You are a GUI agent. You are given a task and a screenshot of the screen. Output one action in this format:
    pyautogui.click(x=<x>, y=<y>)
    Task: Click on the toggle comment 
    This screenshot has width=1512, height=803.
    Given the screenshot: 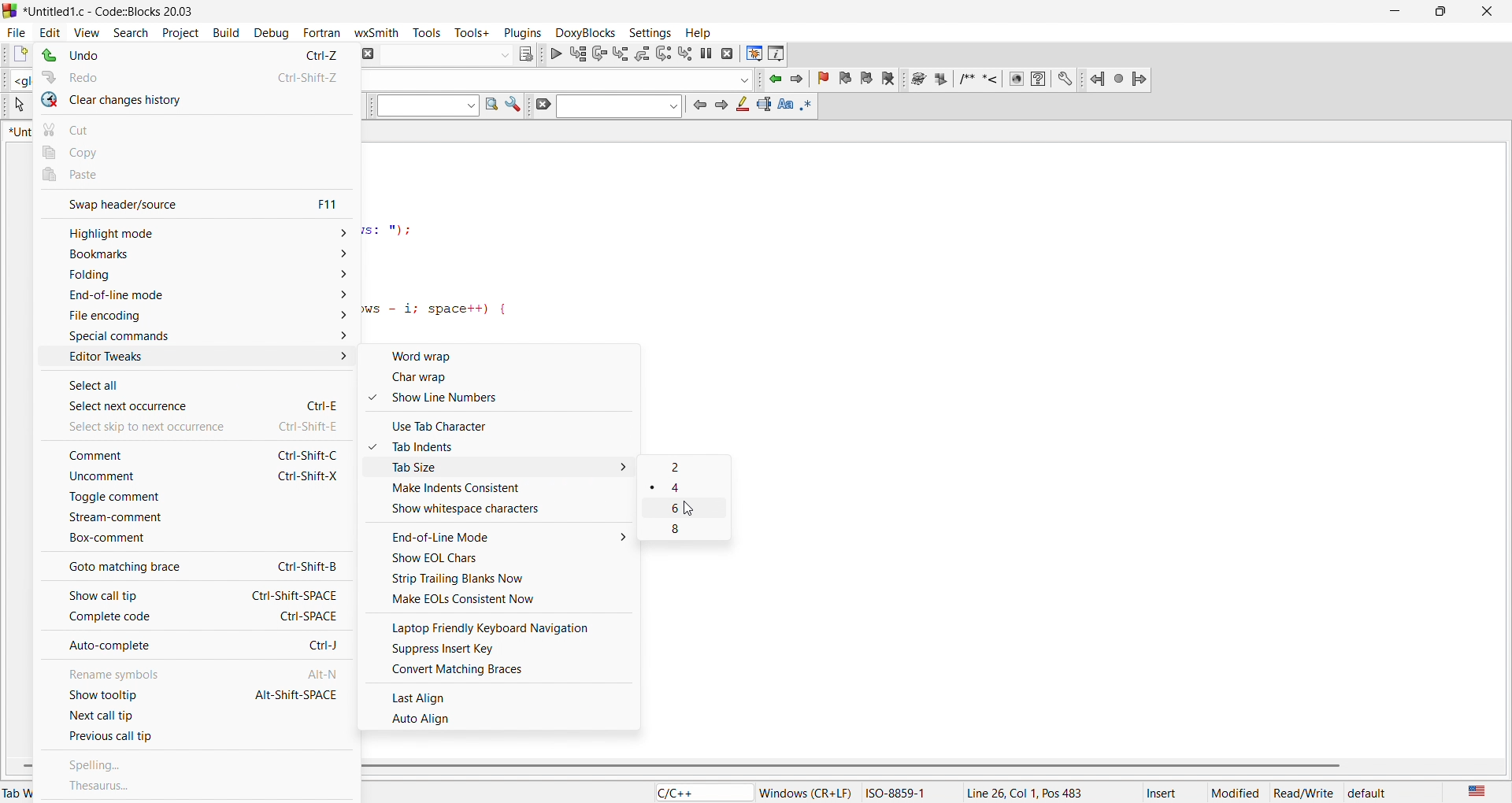 What is the action you would take?
    pyautogui.click(x=194, y=500)
    